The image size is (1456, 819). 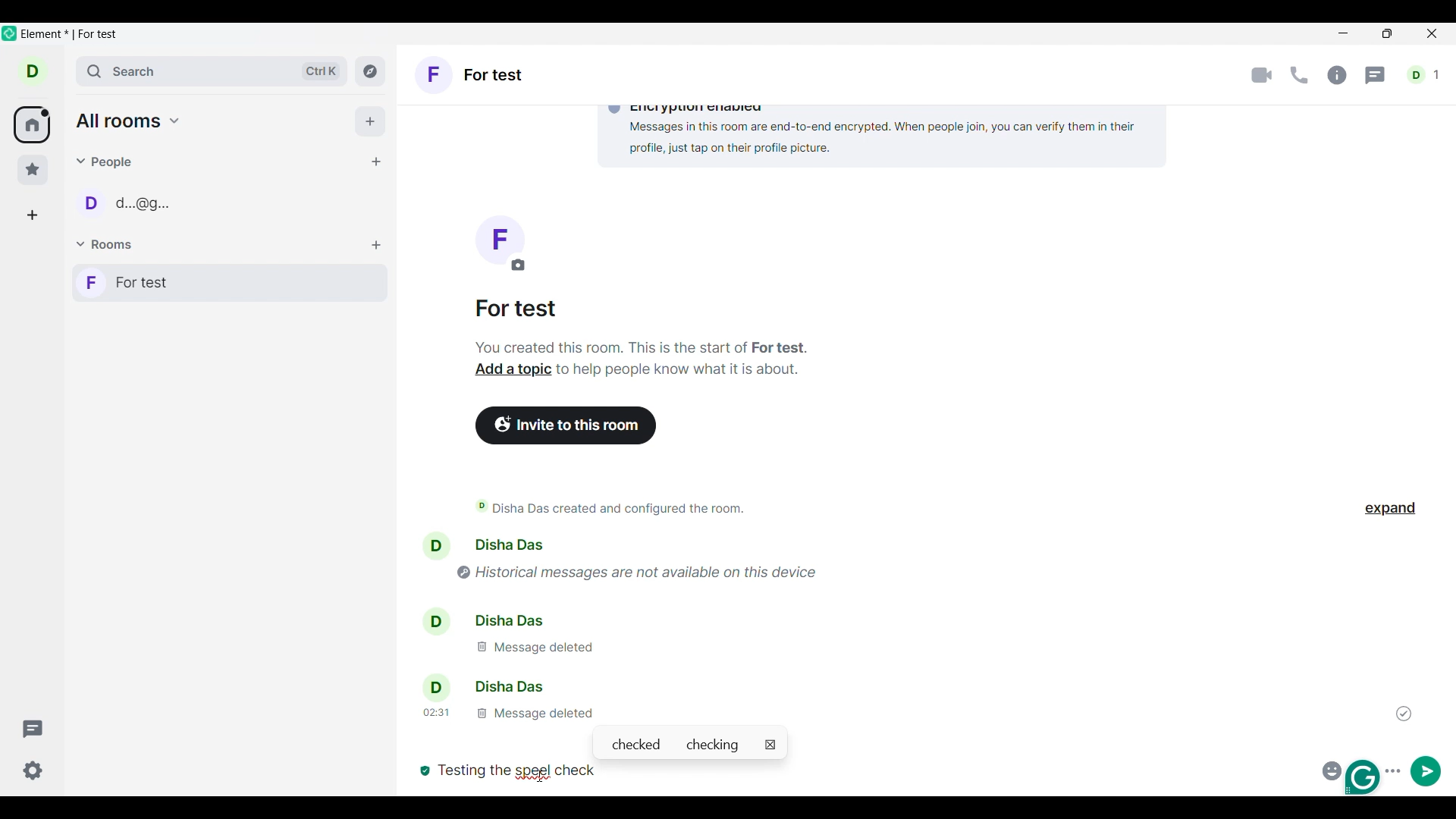 I want to click on For test   You created this room. This is the start of a room of for test, so click(x=642, y=328).